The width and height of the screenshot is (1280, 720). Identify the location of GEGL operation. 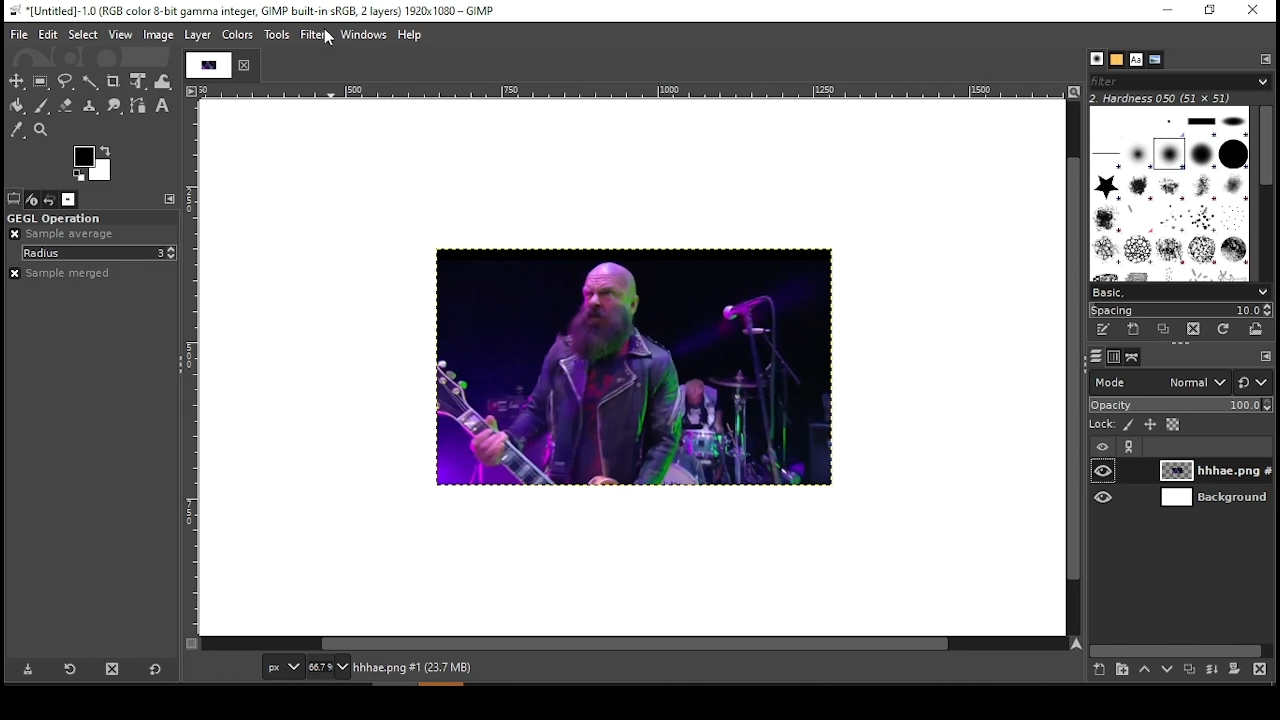
(89, 219).